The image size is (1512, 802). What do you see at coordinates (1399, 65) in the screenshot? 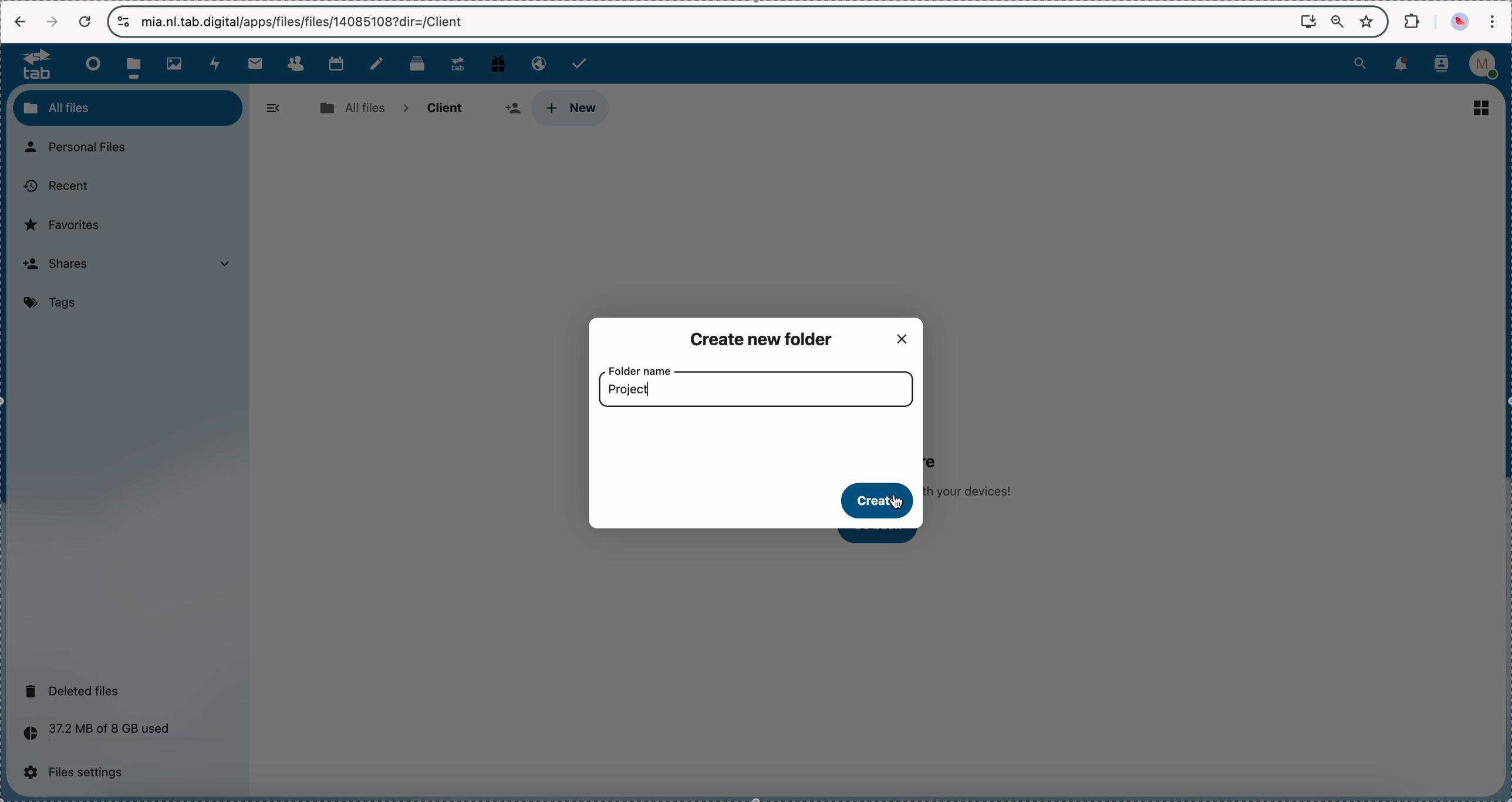
I see `notifications` at bounding box center [1399, 65].